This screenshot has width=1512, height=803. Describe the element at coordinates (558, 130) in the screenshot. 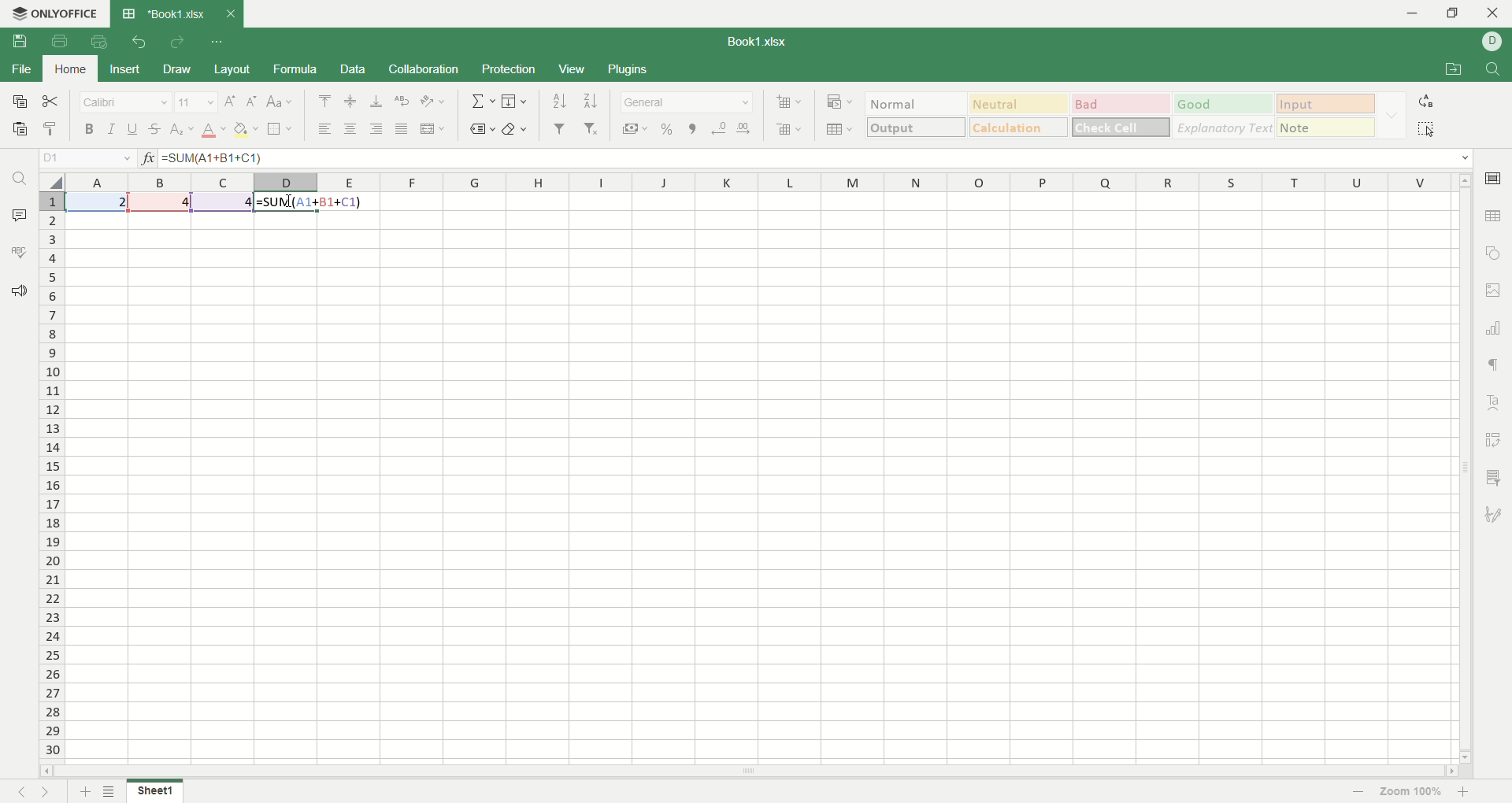

I see `filter` at that location.